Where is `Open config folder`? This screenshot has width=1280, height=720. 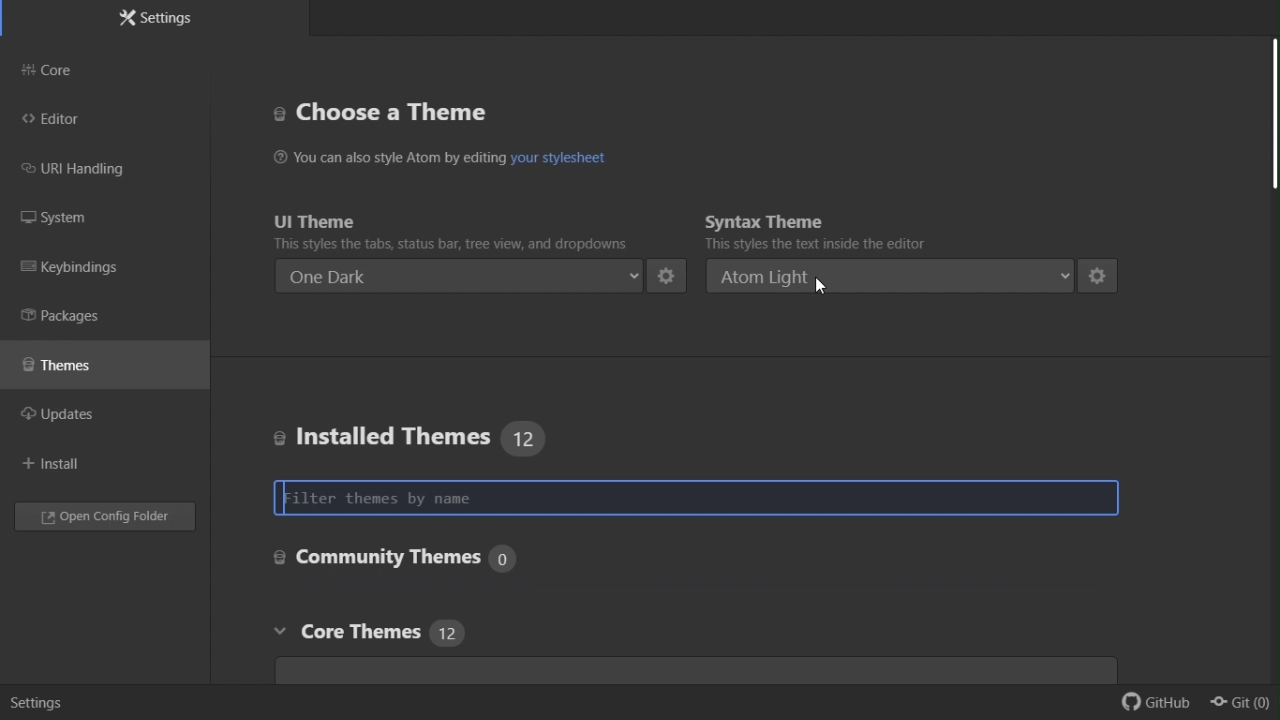
Open config folder is located at coordinates (107, 517).